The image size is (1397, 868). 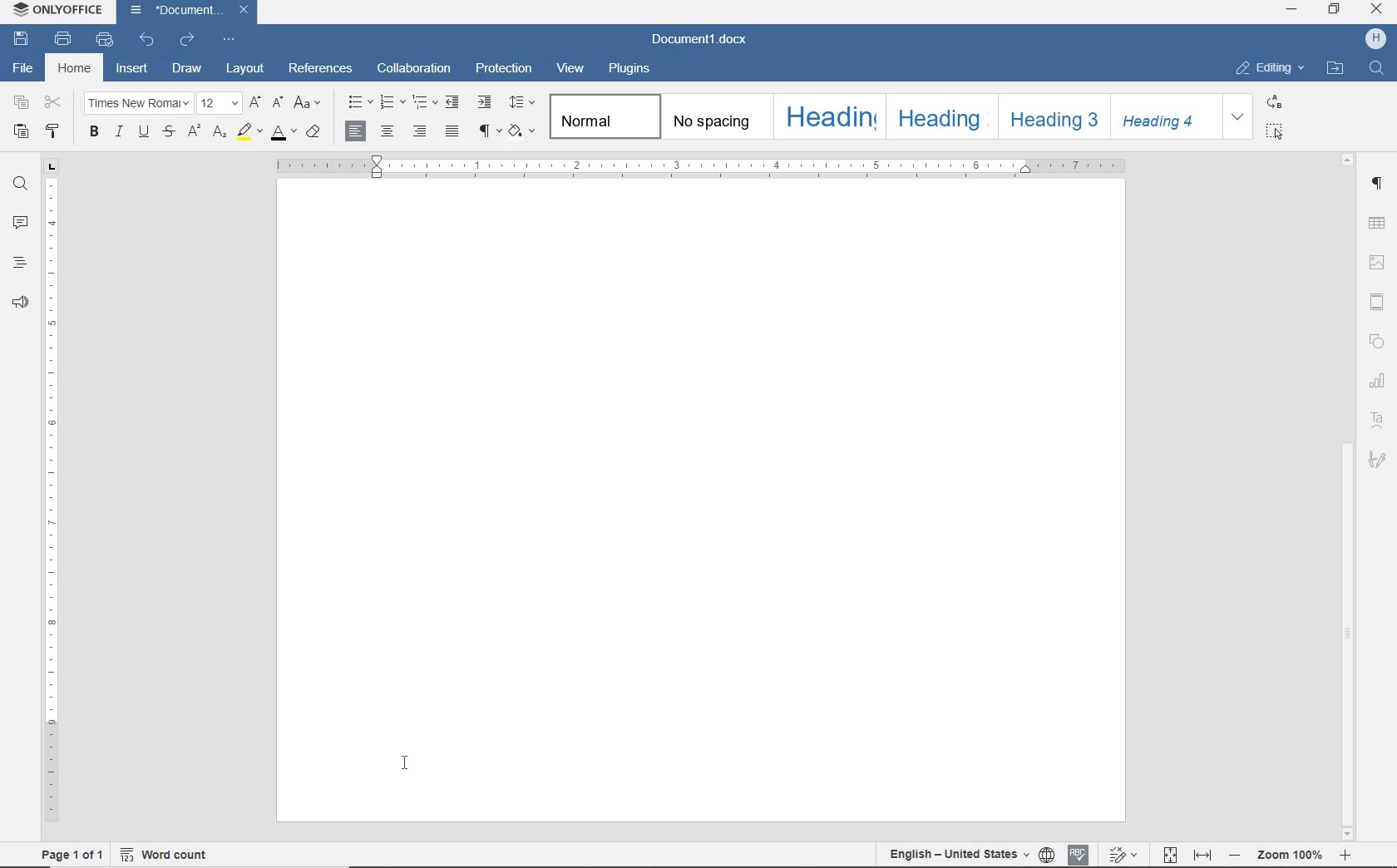 What do you see at coordinates (52, 132) in the screenshot?
I see `COPY STYLE` at bounding box center [52, 132].